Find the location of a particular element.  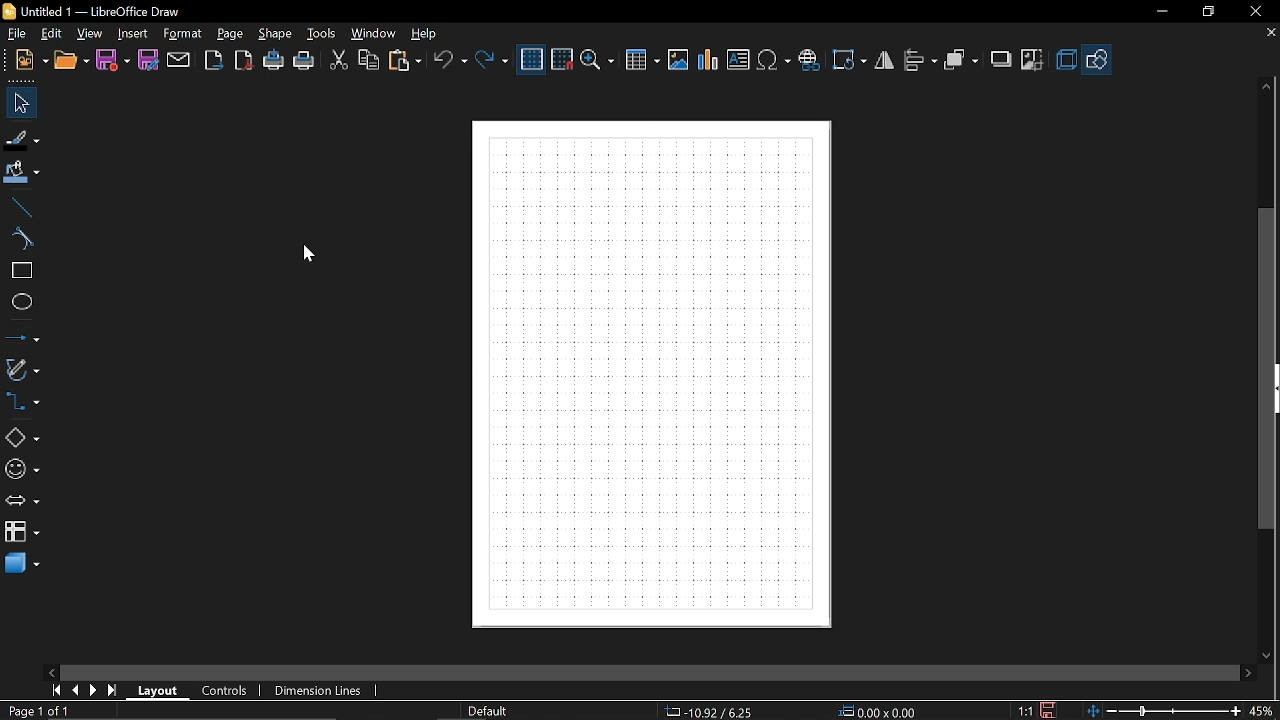

Untitled - LibreOffice Draw is located at coordinates (93, 10).